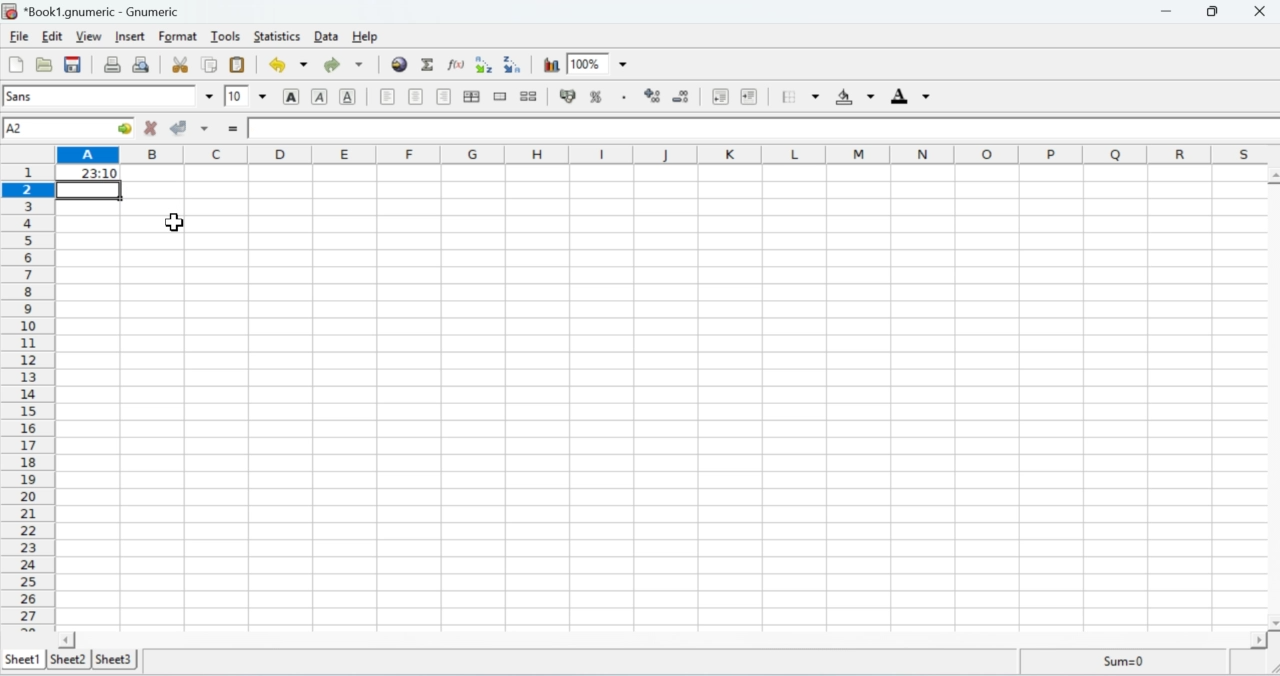 Image resolution: width=1280 pixels, height=676 pixels. What do you see at coordinates (290, 97) in the screenshot?
I see `` at bounding box center [290, 97].